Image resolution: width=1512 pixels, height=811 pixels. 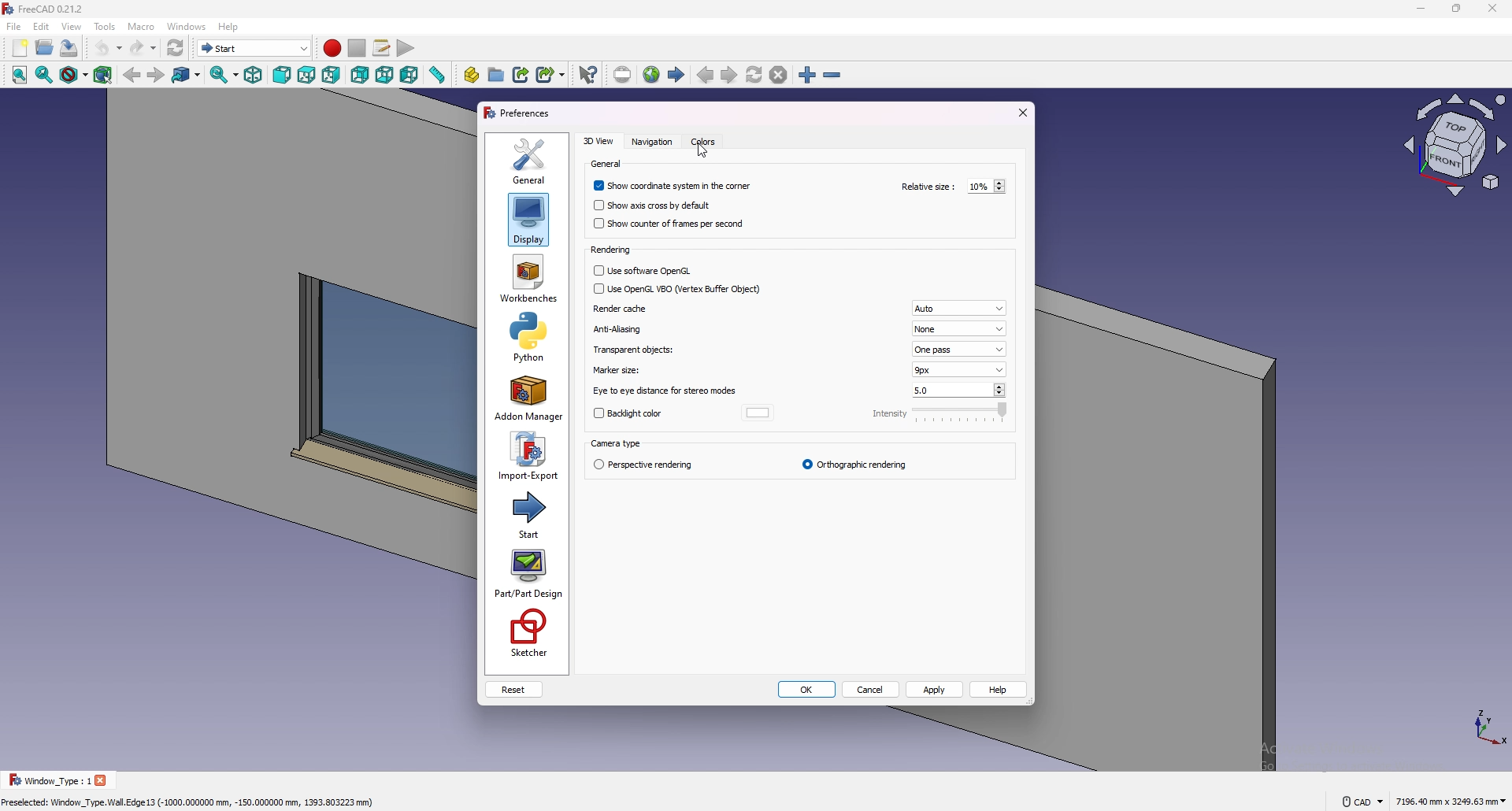 I want to click on python, so click(x=526, y=337).